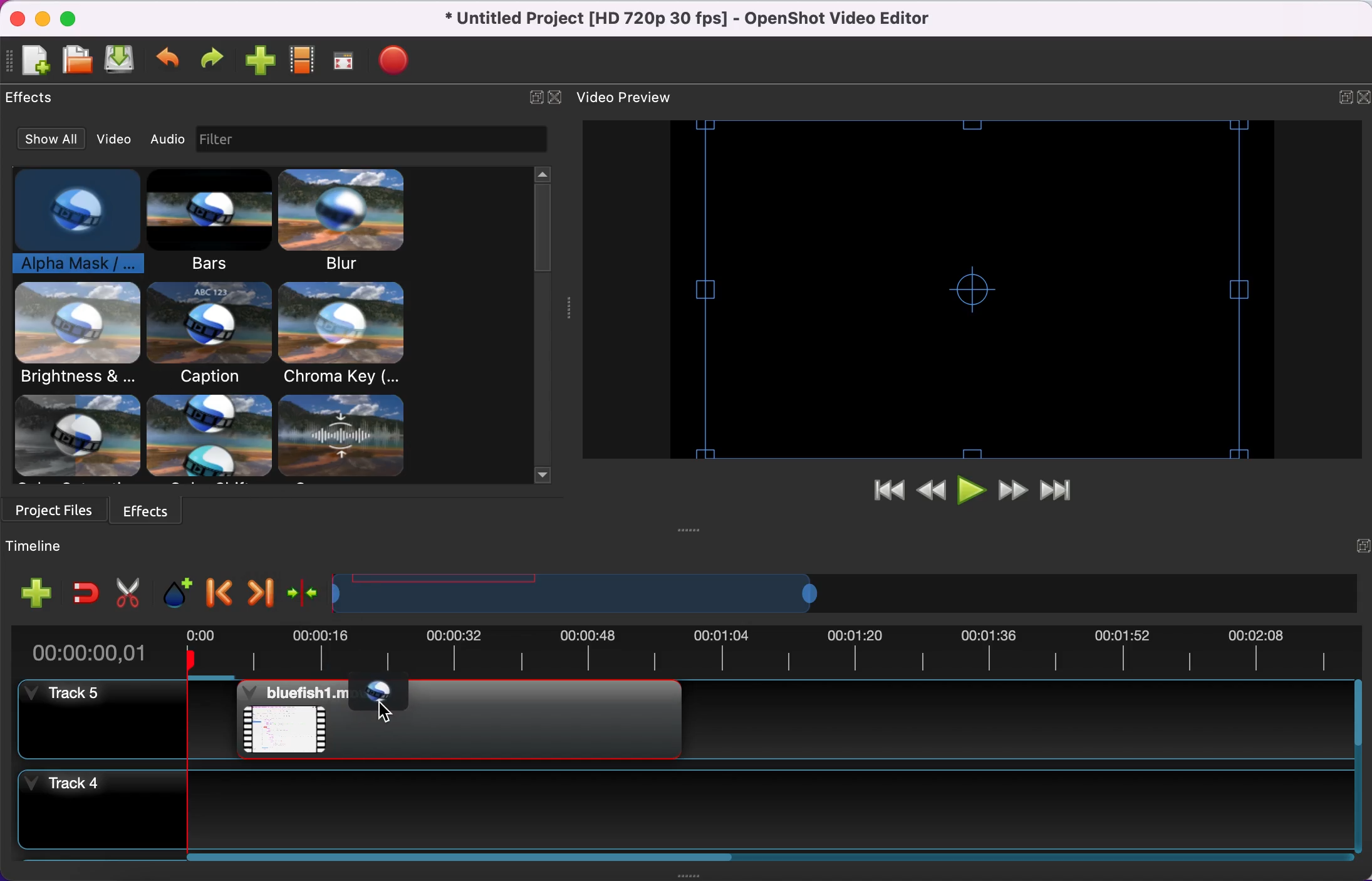 Image resolution: width=1372 pixels, height=881 pixels. What do you see at coordinates (375, 709) in the screenshot?
I see `Cursor` at bounding box center [375, 709].